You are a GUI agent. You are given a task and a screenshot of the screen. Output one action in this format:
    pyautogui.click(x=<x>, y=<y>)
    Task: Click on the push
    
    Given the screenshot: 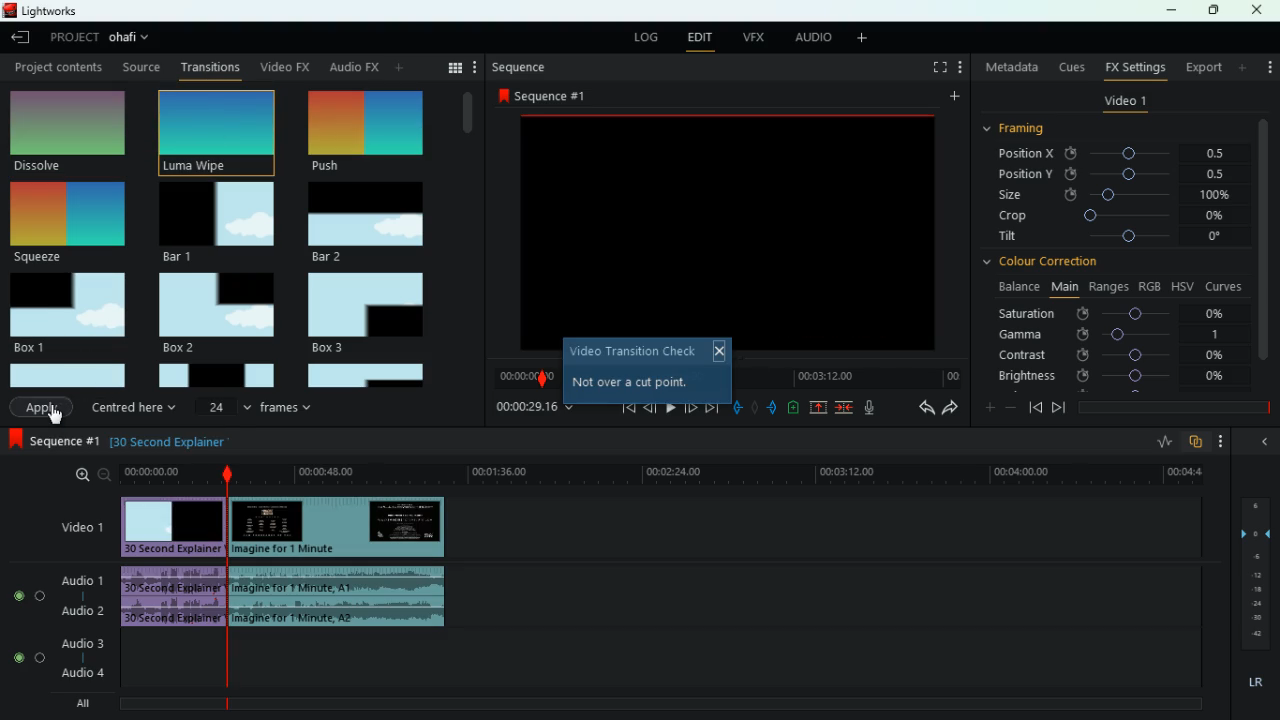 What is the action you would take?
    pyautogui.click(x=220, y=132)
    